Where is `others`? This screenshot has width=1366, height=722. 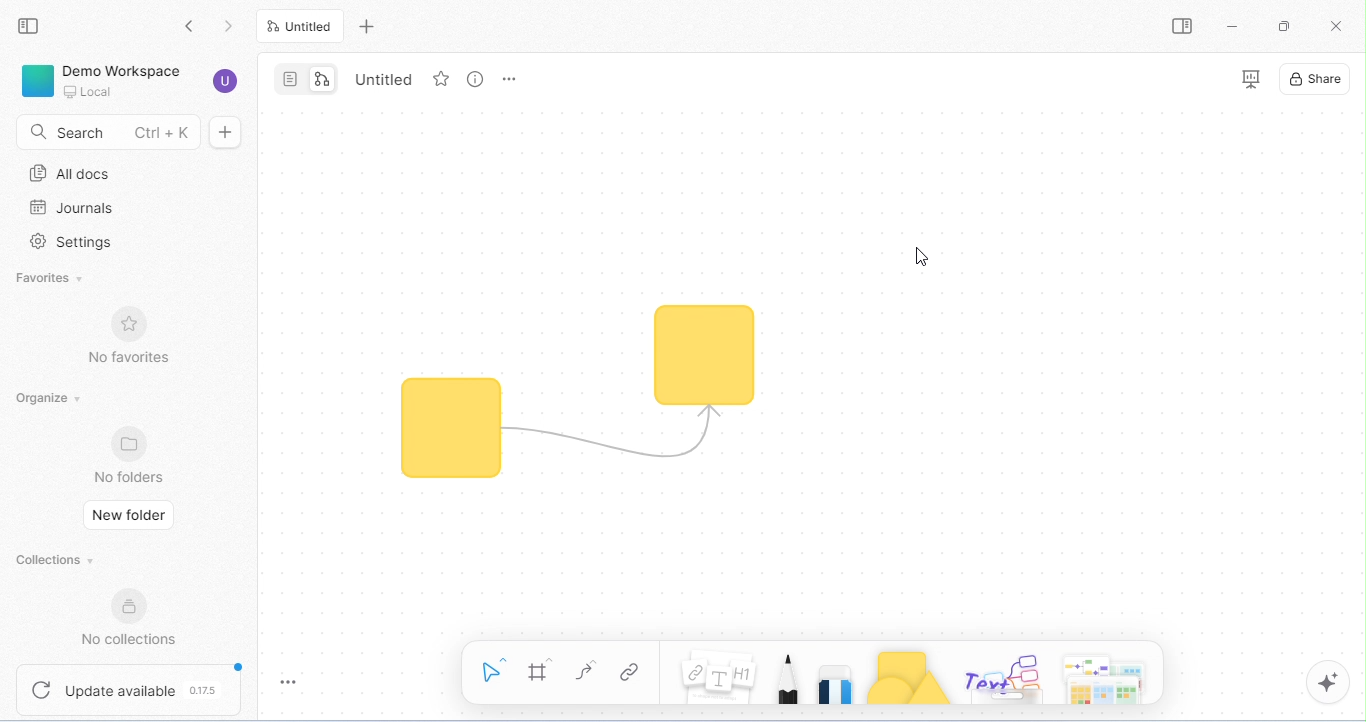
others is located at coordinates (1006, 678).